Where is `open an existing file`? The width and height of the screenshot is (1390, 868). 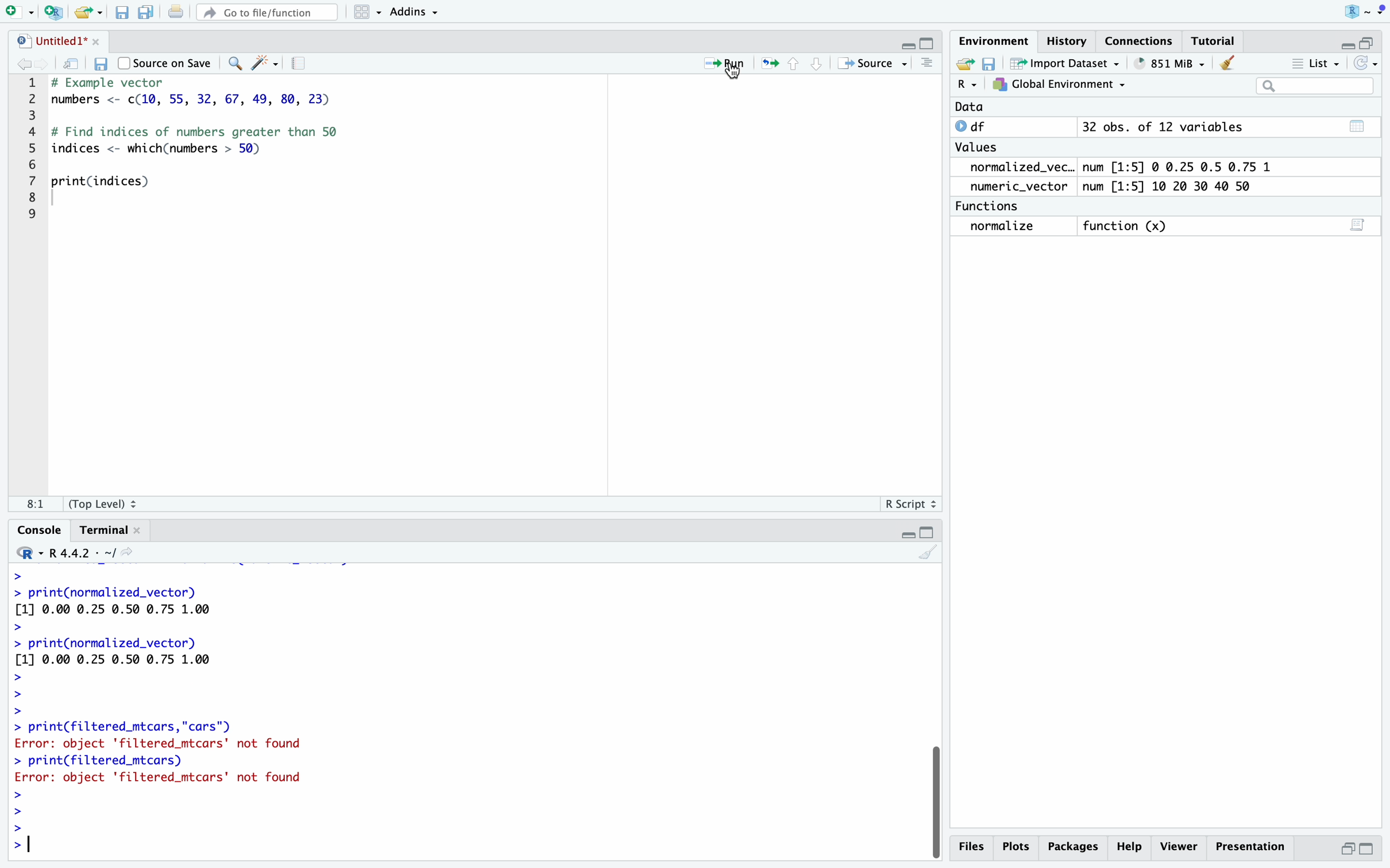
open an existing file is located at coordinates (87, 11).